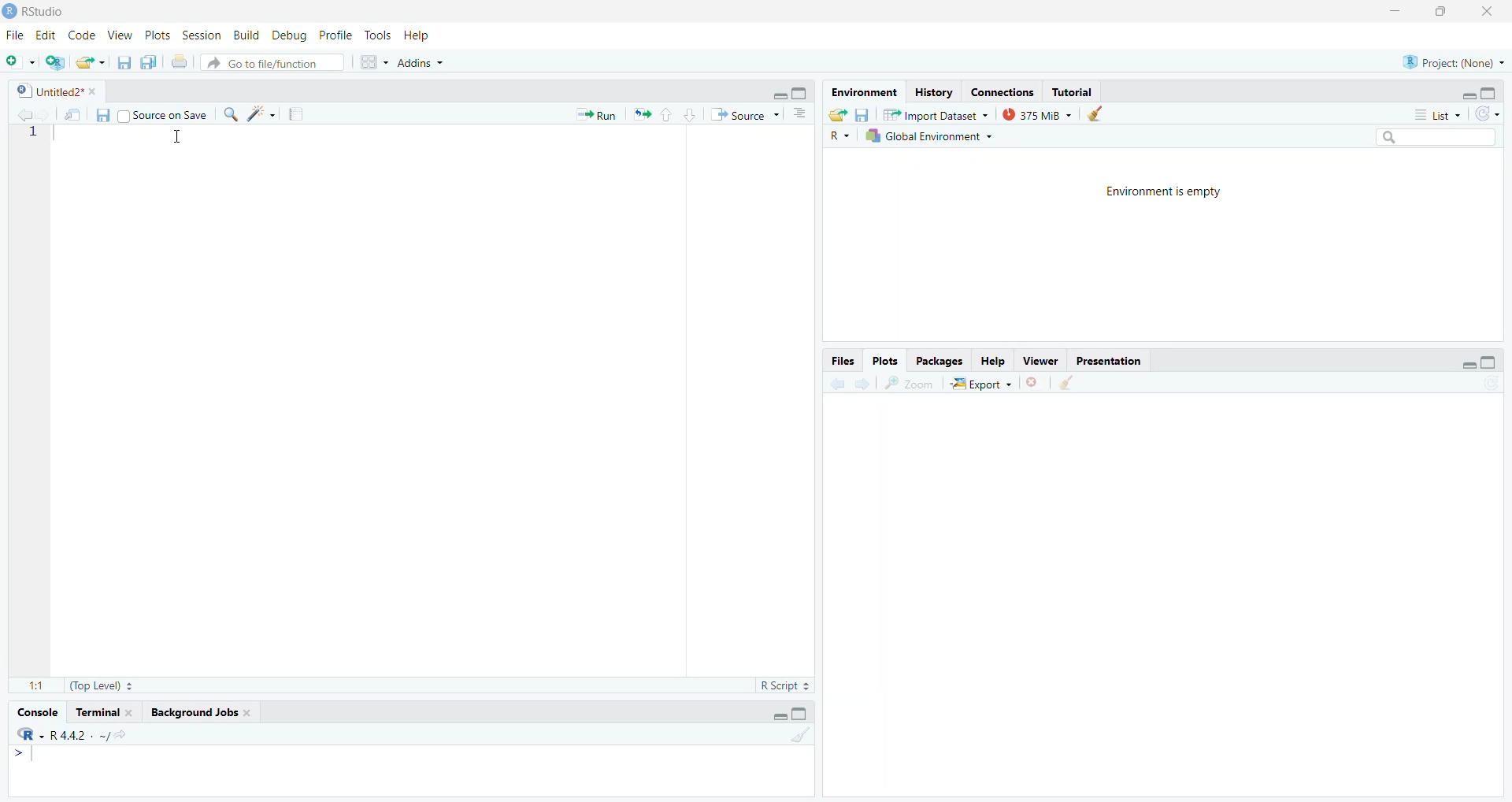 This screenshot has height=802, width=1512. What do you see at coordinates (1462, 95) in the screenshot?
I see `hide r script` at bounding box center [1462, 95].